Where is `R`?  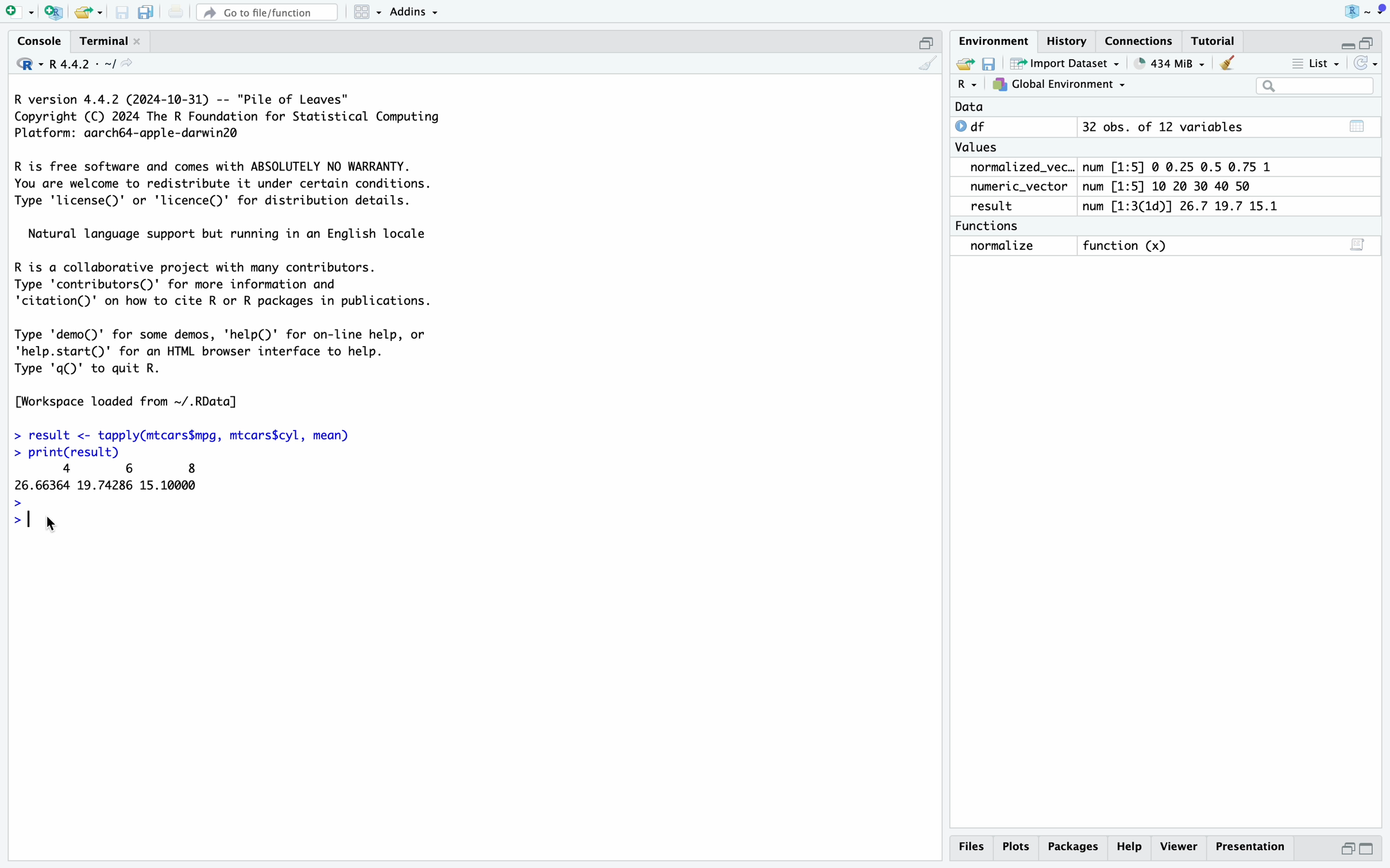 R is located at coordinates (970, 84).